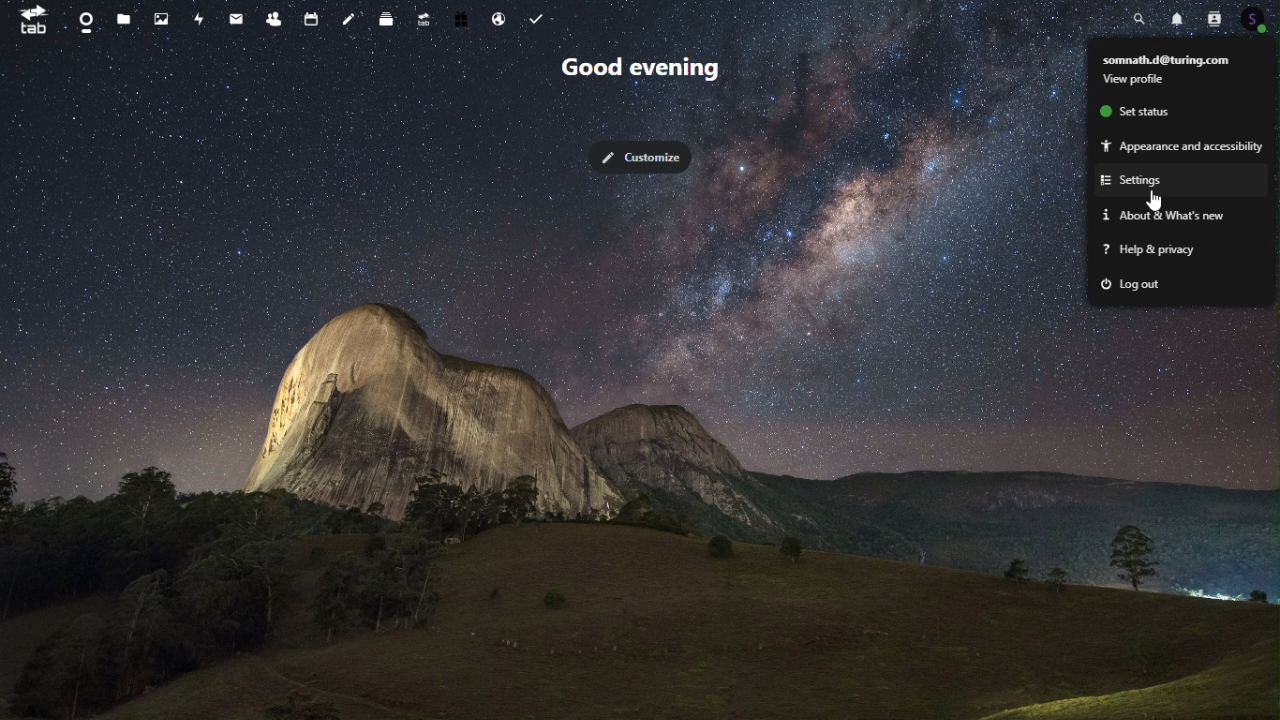 This screenshot has width=1280, height=720. I want to click on email, so click(234, 17).